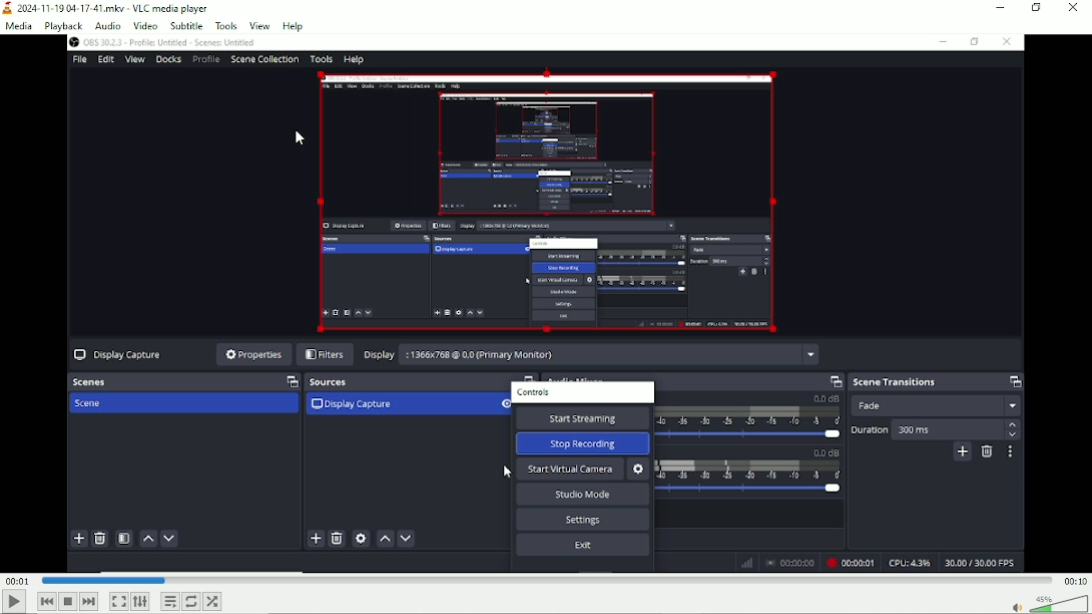  I want to click on View, so click(260, 24).